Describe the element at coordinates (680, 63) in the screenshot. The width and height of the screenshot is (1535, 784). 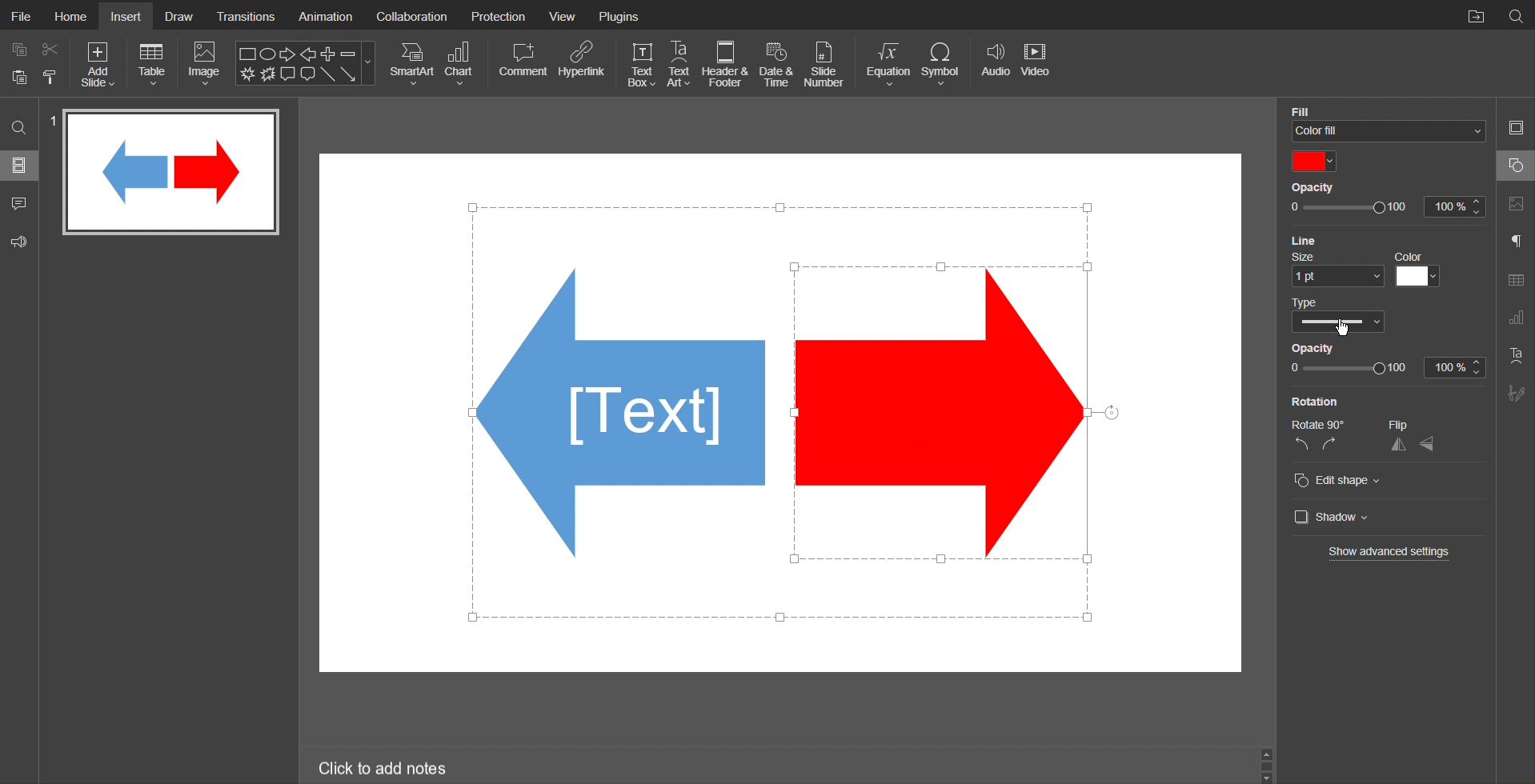
I see `Text Art` at that location.